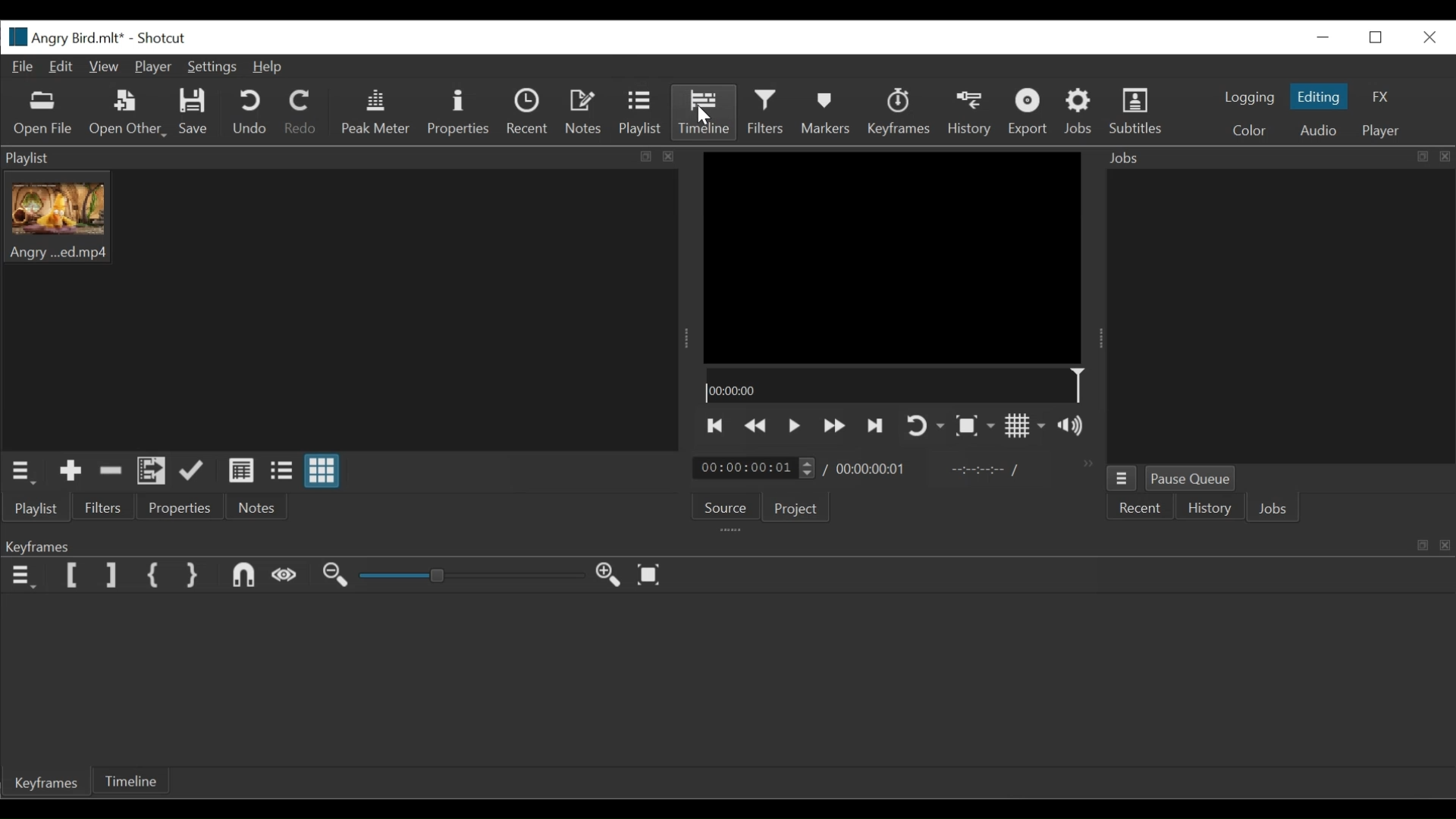 The height and width of the screenshot is (819, 1456). I want to click on Color, so click(1249, 129).